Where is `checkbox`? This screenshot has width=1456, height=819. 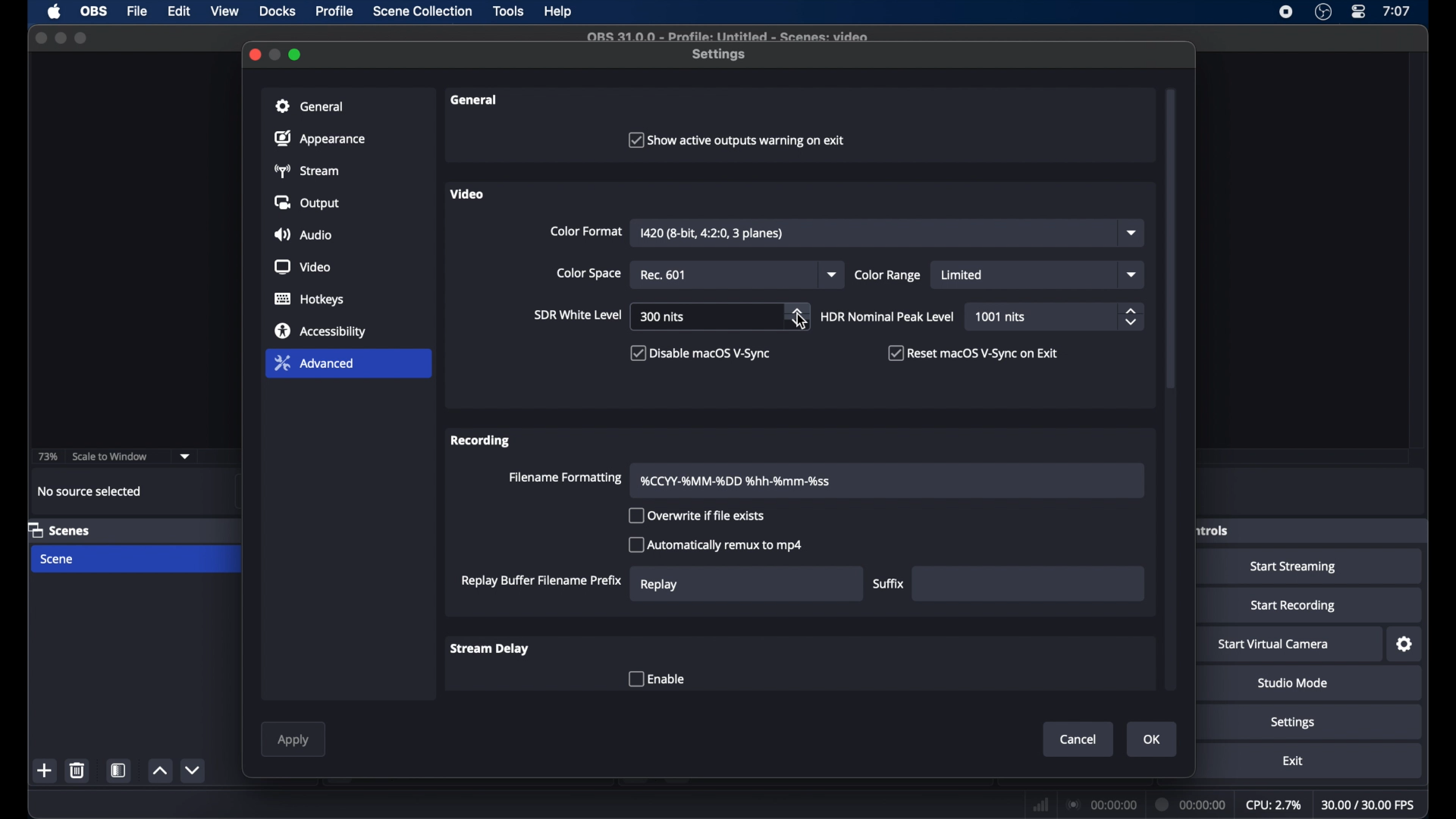 checkbox is located at coordinates (974, 353).